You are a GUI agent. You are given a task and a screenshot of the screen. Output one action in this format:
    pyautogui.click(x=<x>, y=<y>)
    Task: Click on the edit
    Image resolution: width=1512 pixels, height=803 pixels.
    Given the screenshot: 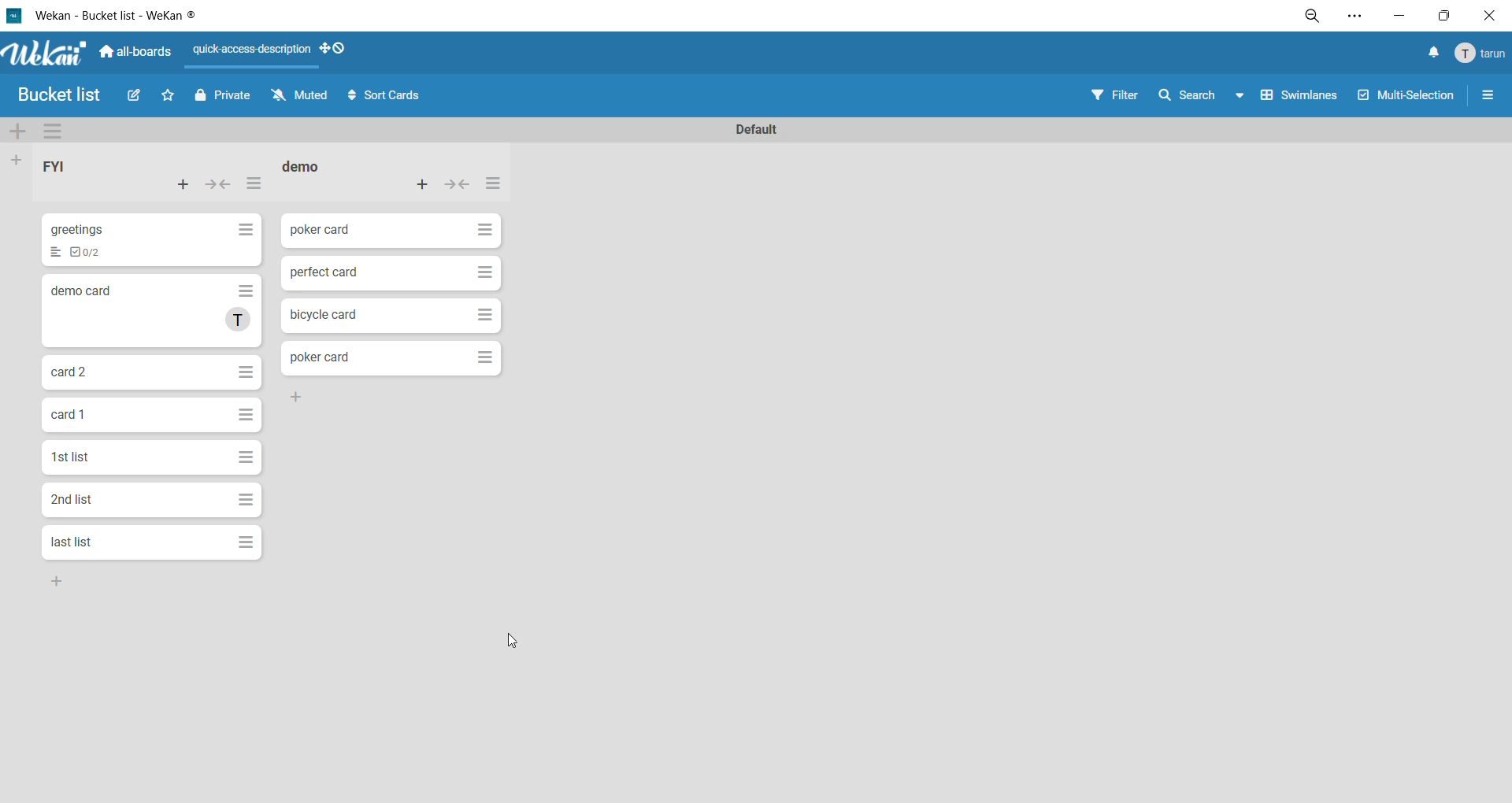 What is the action you would take?
    pyautogui.click(x=137, y=98)
    